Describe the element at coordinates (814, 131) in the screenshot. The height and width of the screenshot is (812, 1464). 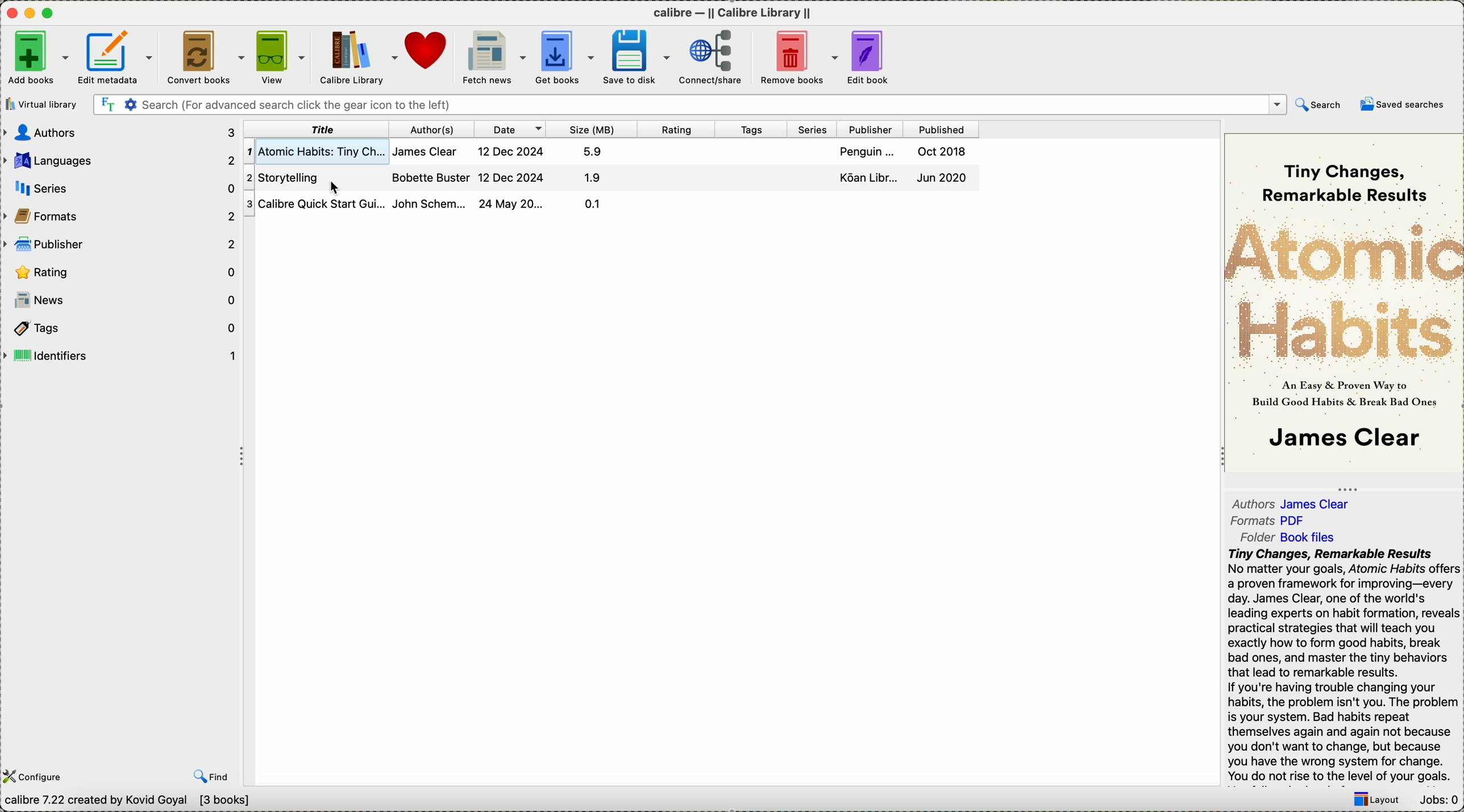
I see `series` at that location.